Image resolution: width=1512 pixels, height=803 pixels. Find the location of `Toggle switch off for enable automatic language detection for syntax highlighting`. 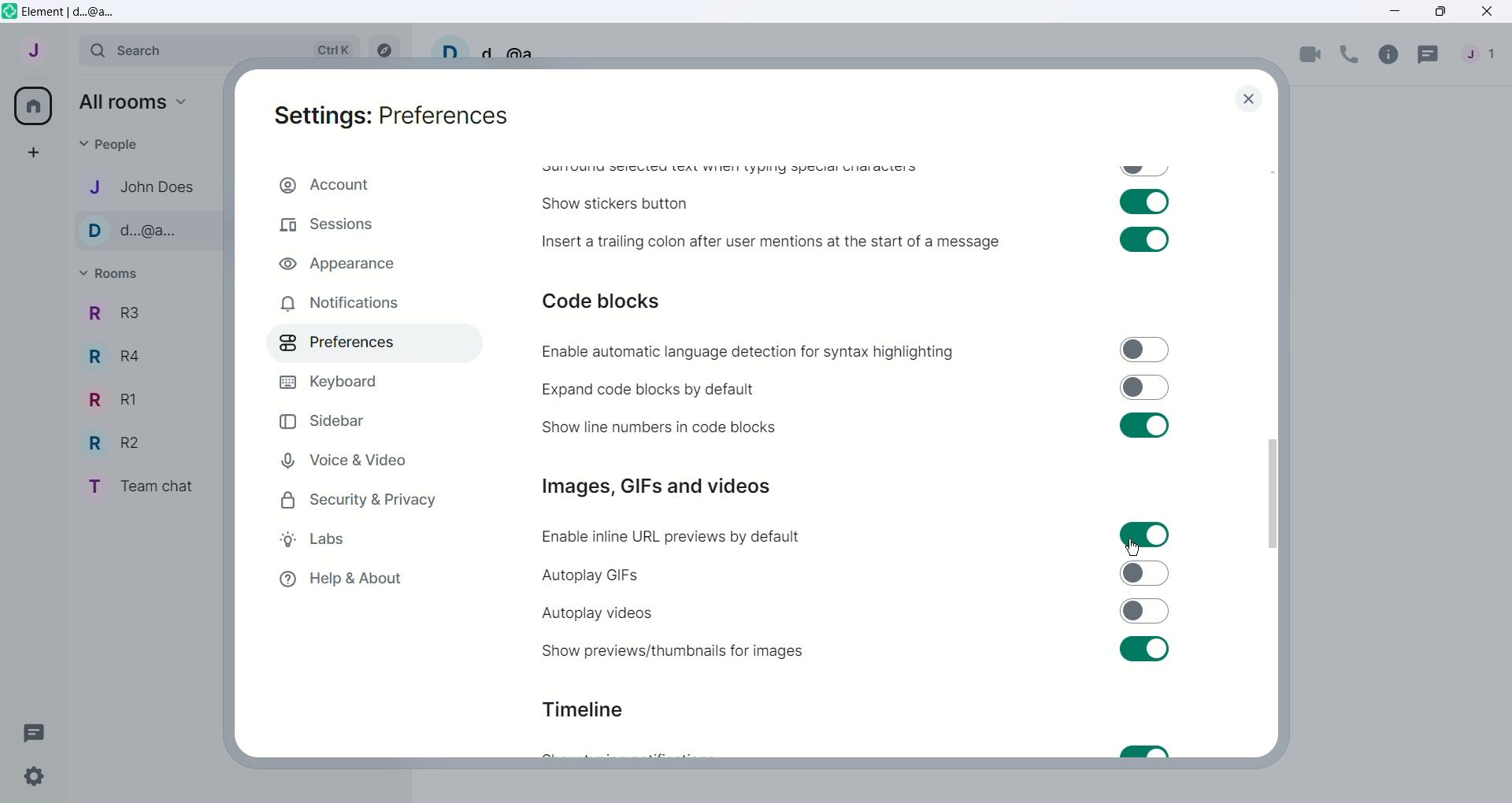

Toggle switch off for enable automatic language detection for syntax highlighting is located at coordinates (1144, 350).